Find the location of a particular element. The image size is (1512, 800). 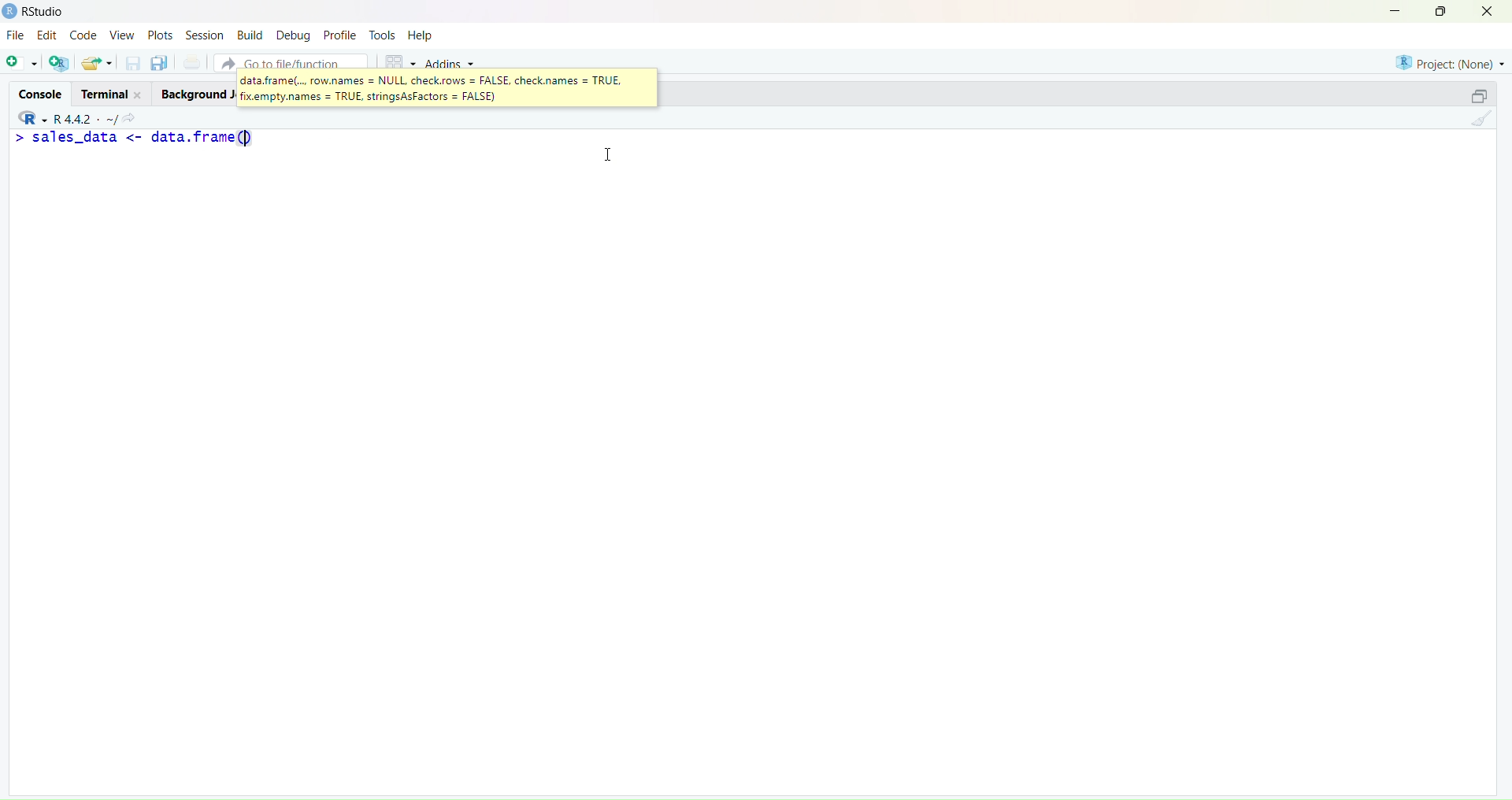

add multiple scripts is located at coordinates (60, 65).